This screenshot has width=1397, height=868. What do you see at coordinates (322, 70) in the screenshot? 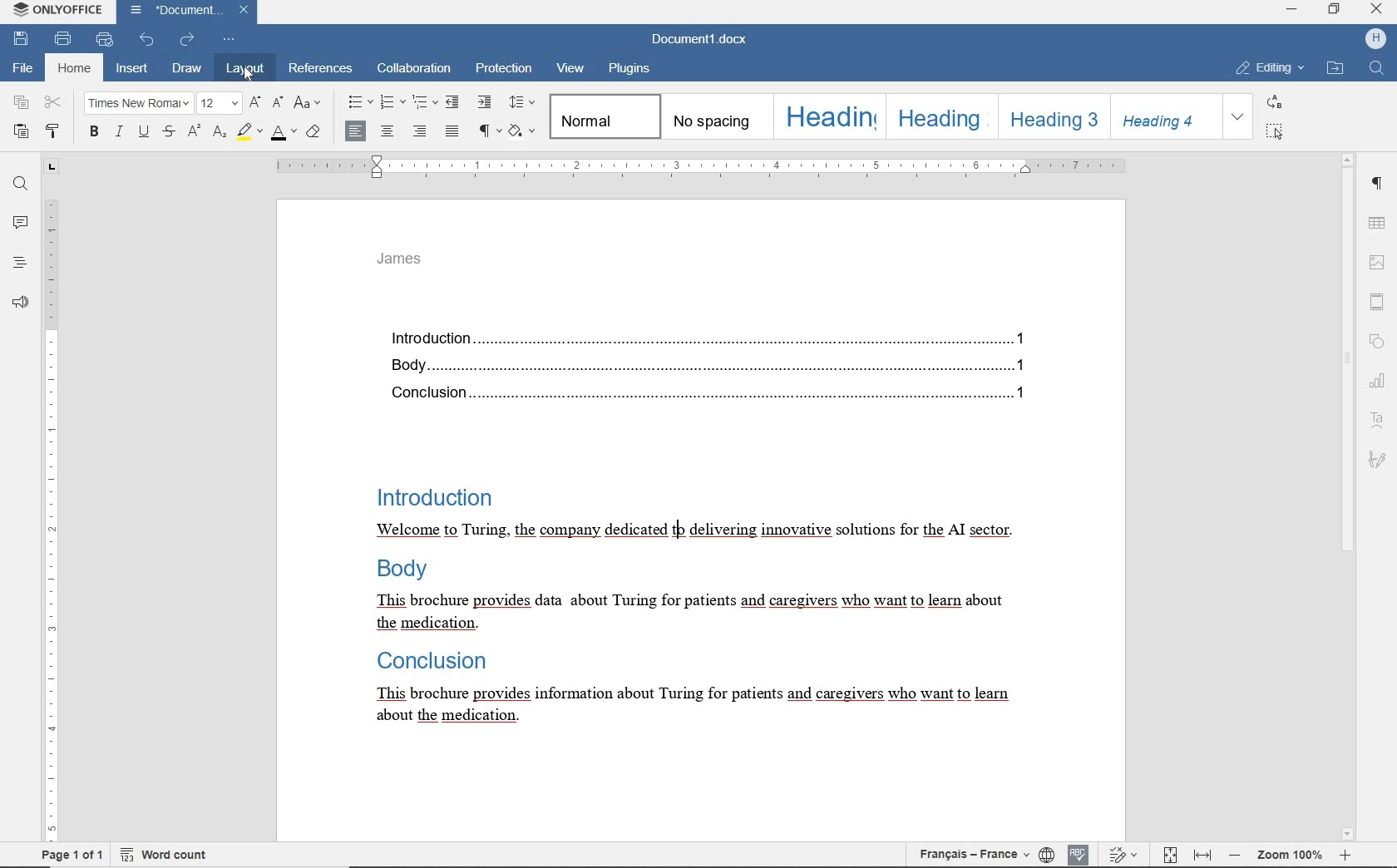
I see `references` at bounding box center [322, 70].